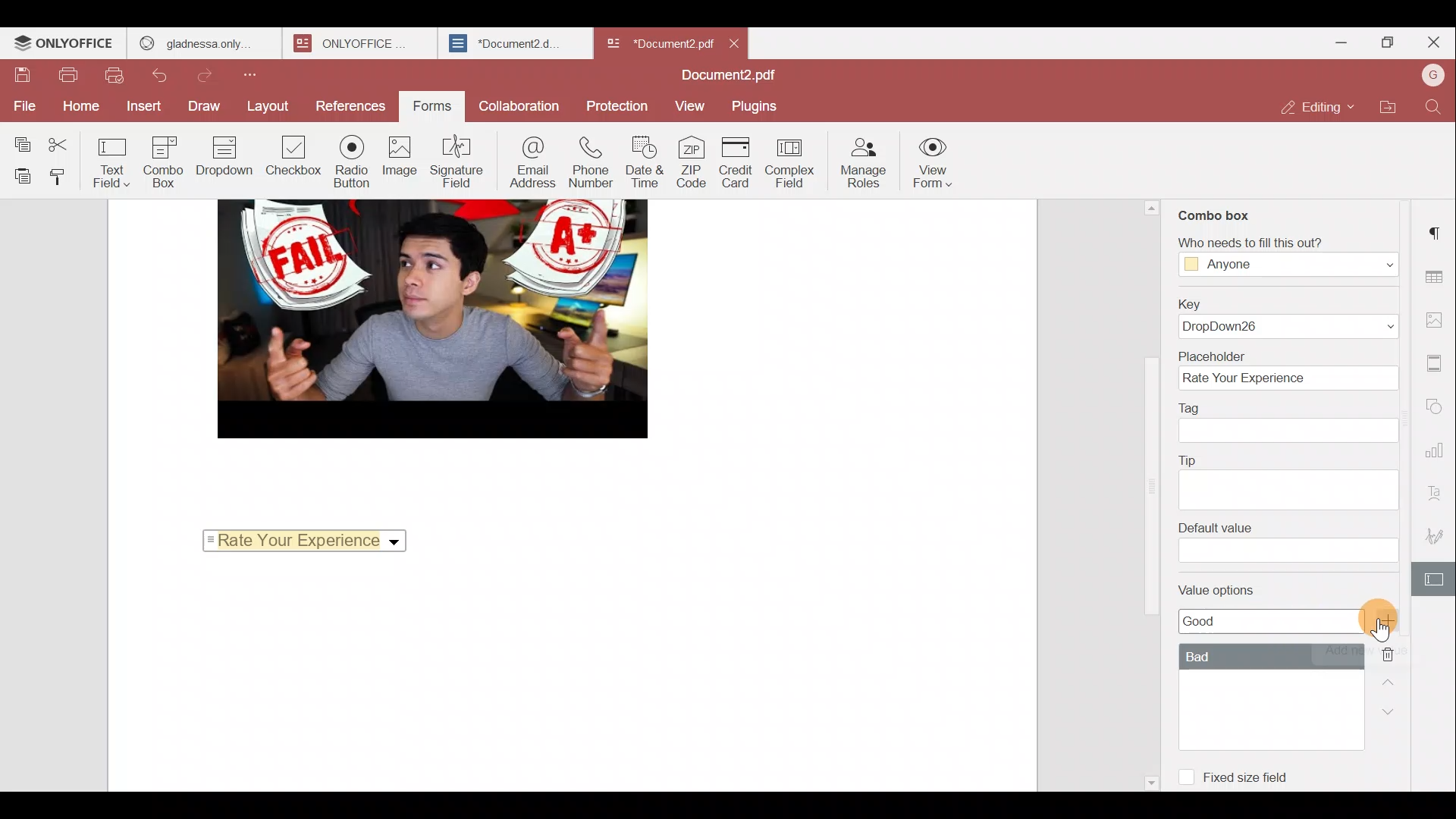 This screenshot has height=819, width=1456. What do you see at coordinates (1393, 631) in the screenshot?
I see `Cursor` at bounding box center [1393, 631].